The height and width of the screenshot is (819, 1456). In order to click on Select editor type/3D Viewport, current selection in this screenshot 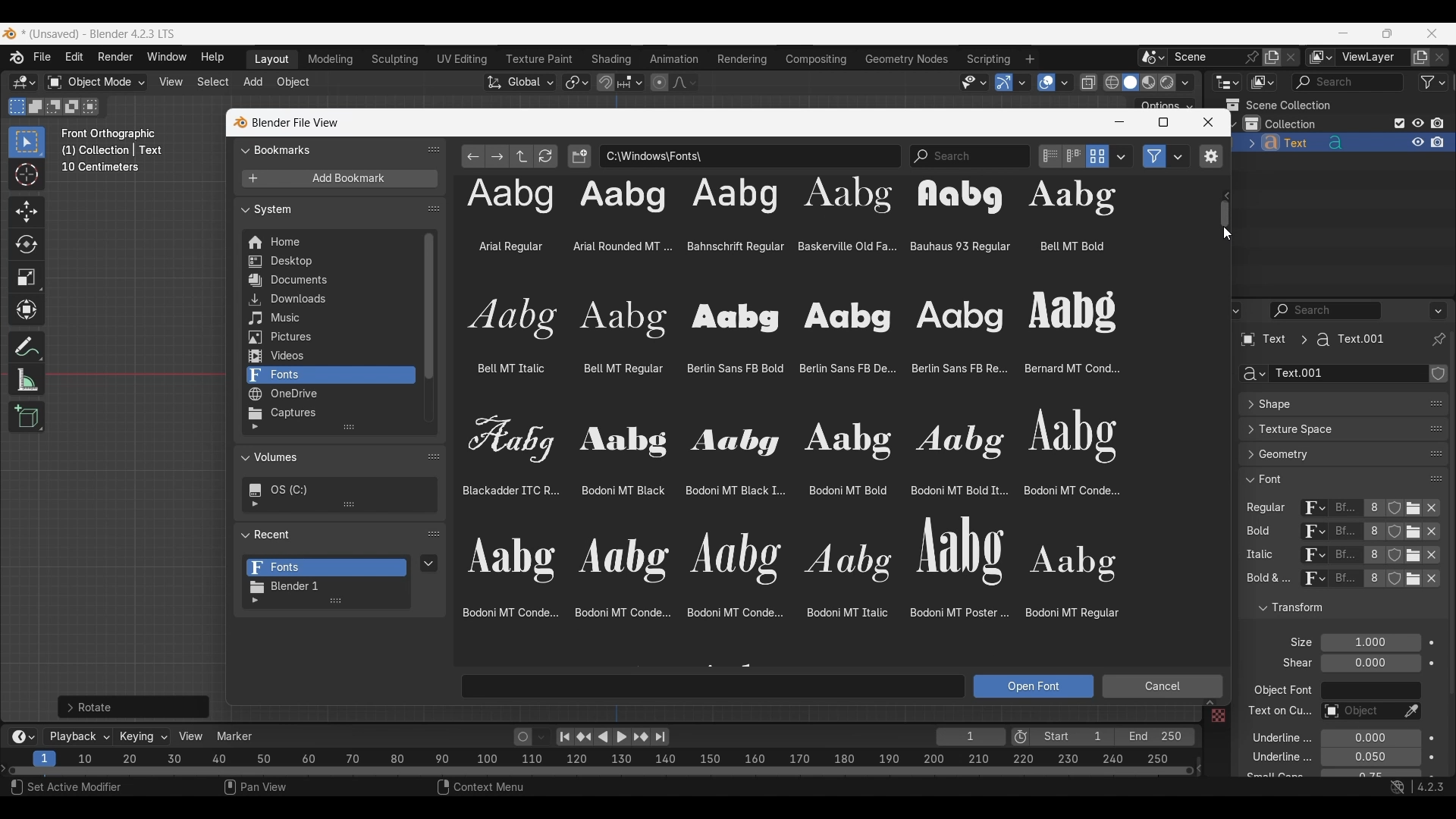, I will do `click(24, 82)`.